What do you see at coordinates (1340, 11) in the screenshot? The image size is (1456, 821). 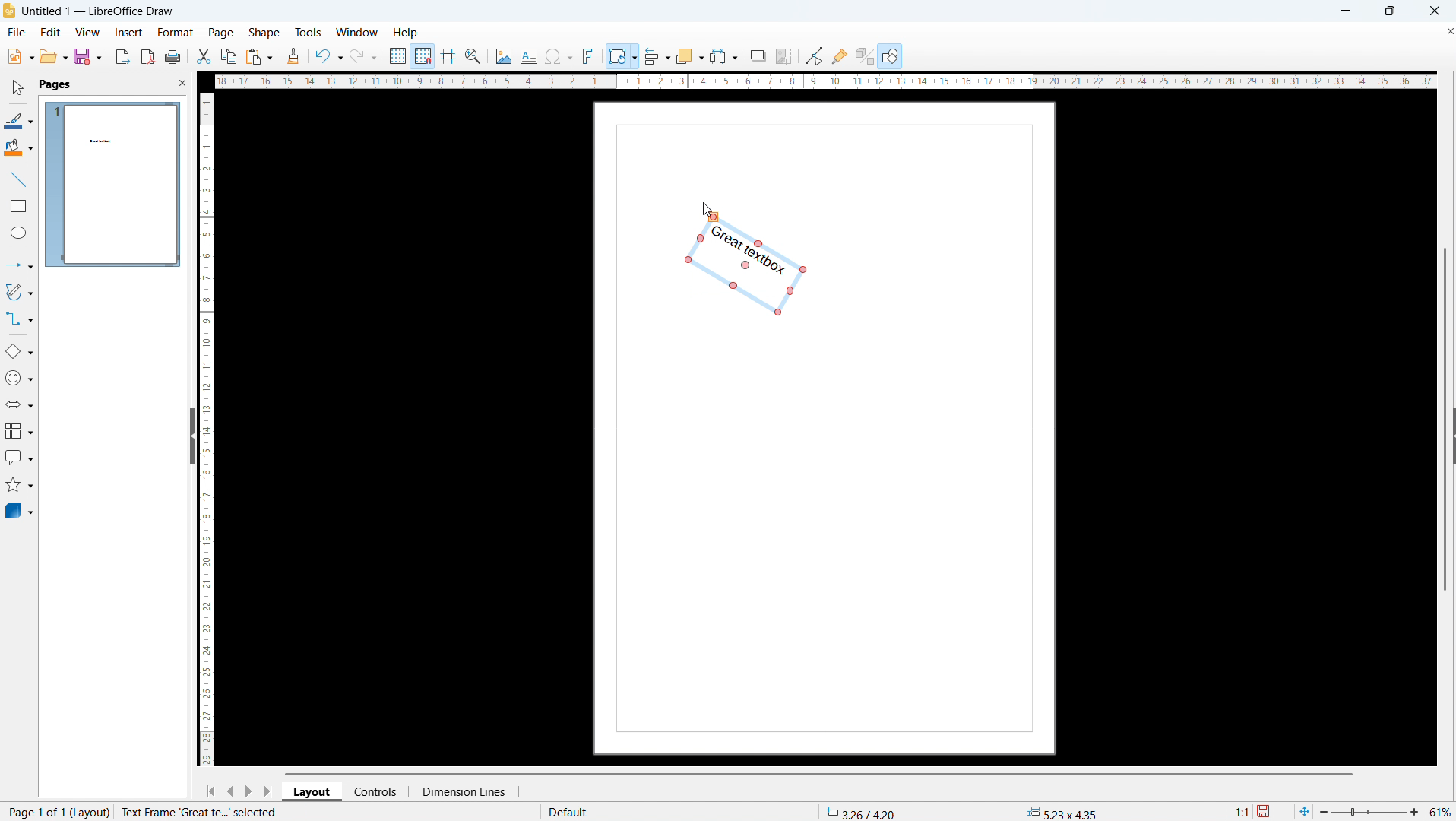 I see `minimise ` at bounding box center [1340, 11].